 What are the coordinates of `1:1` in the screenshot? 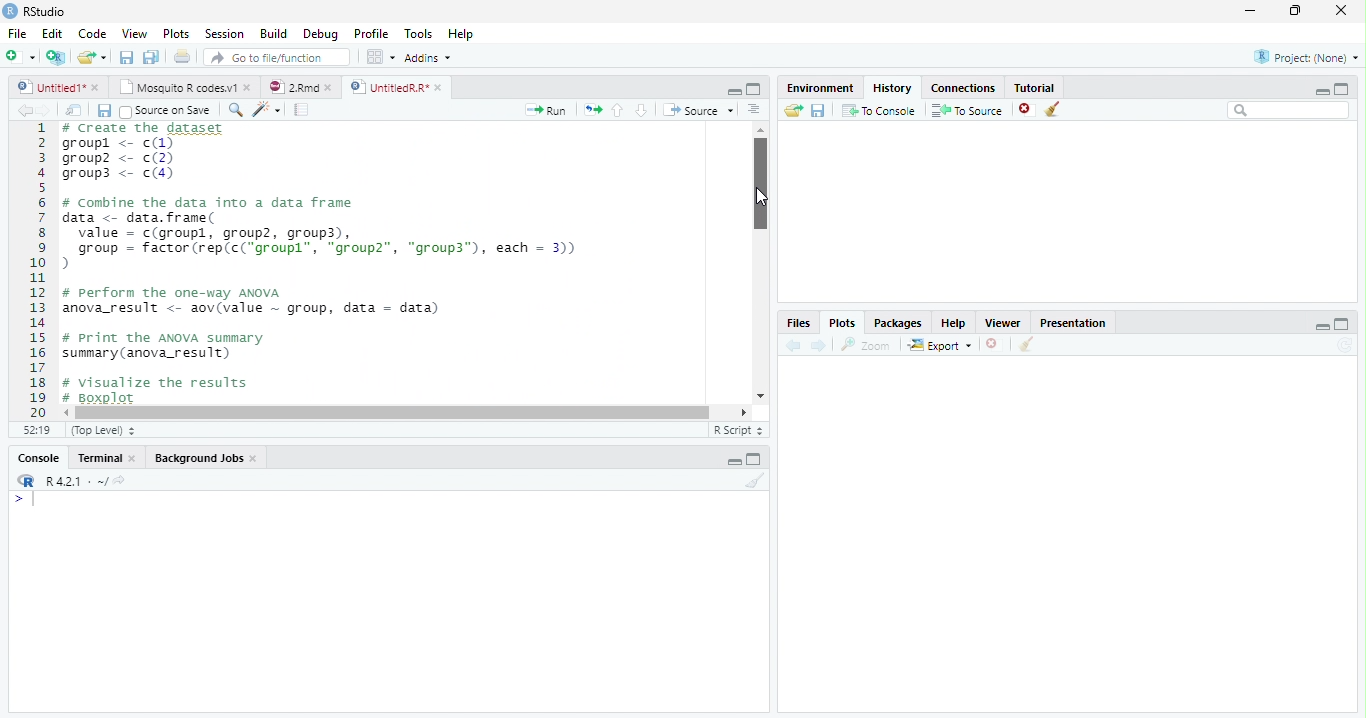 It's located at (34, 430).